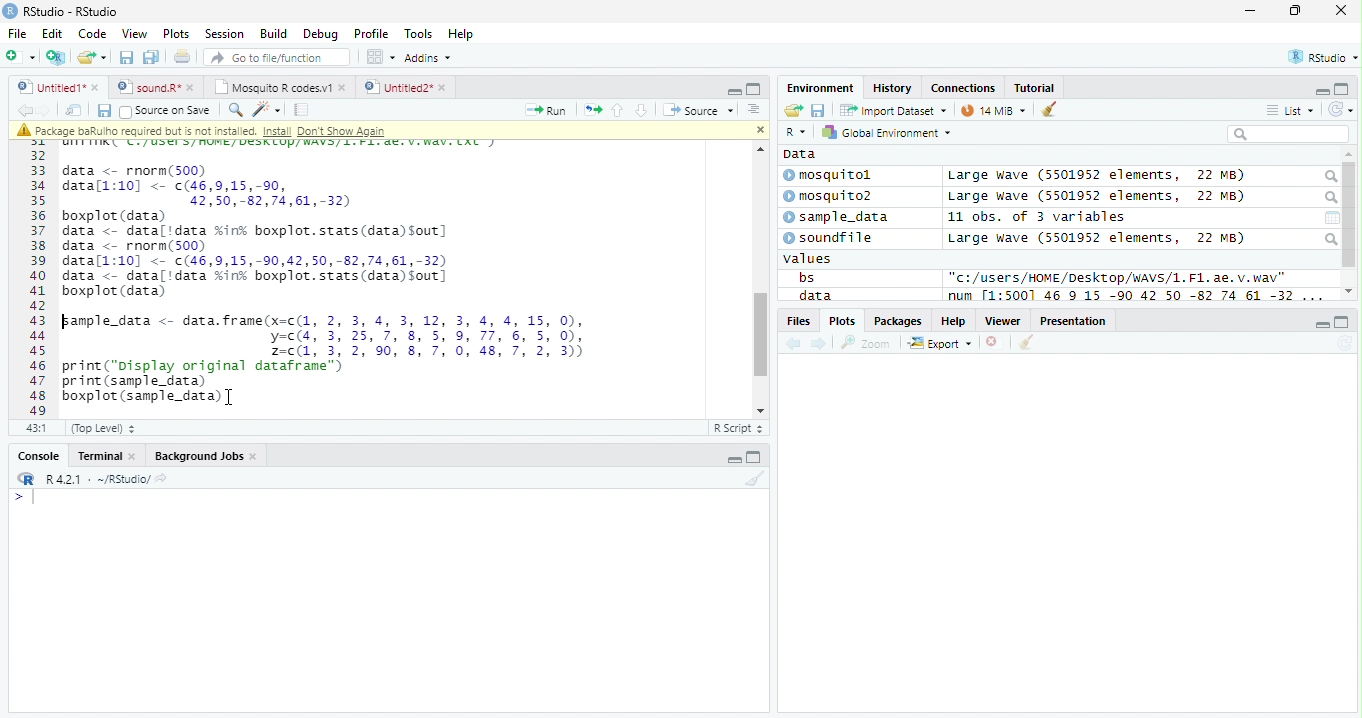 Image resolution: width=1362 pixels, height=718 pixels. Describe the element at coordinates (183, 58) in the screenshot. I see `Print` at that location.